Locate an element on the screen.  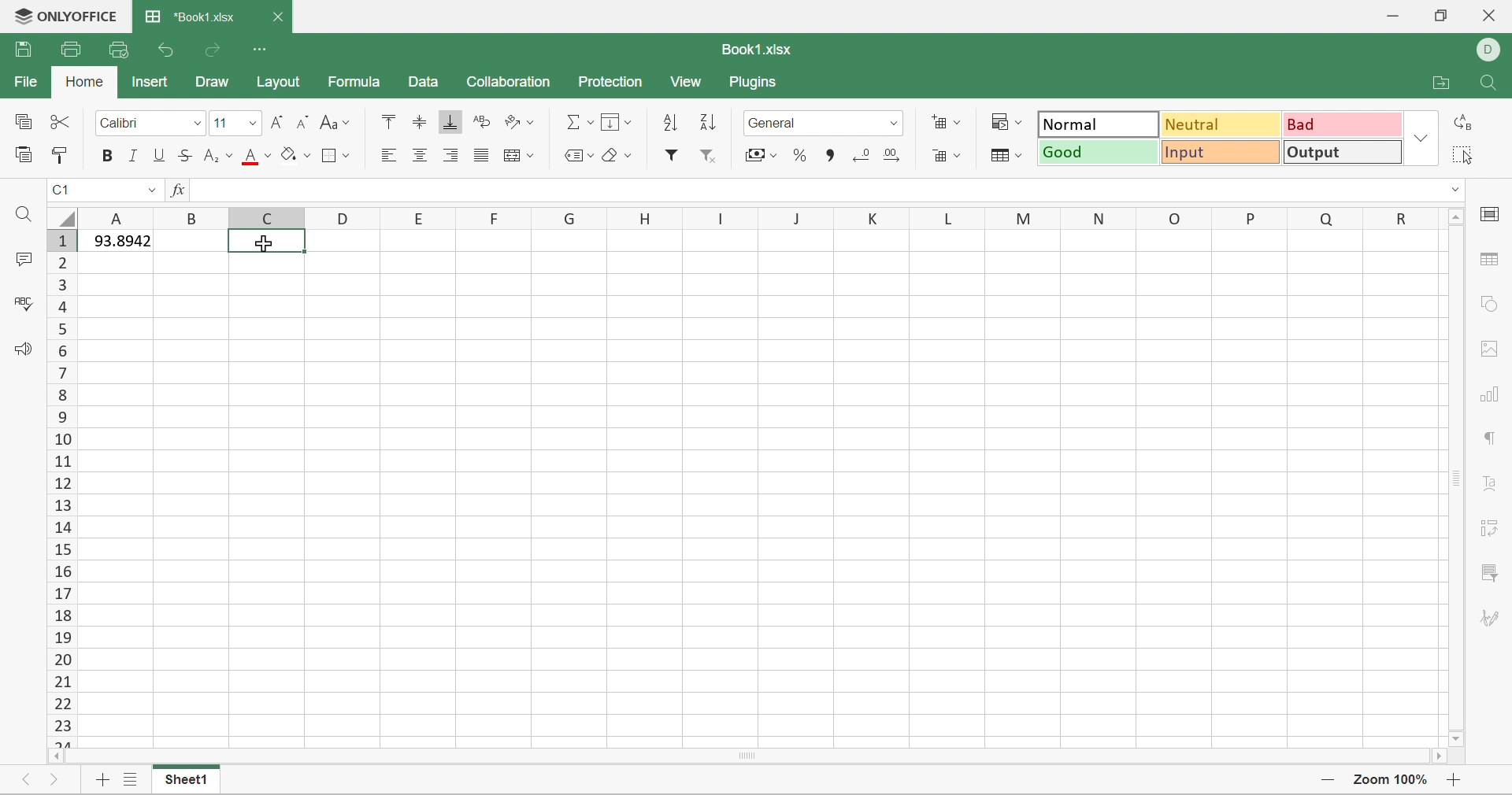
Add sheet is located at coordinates (98, 782).